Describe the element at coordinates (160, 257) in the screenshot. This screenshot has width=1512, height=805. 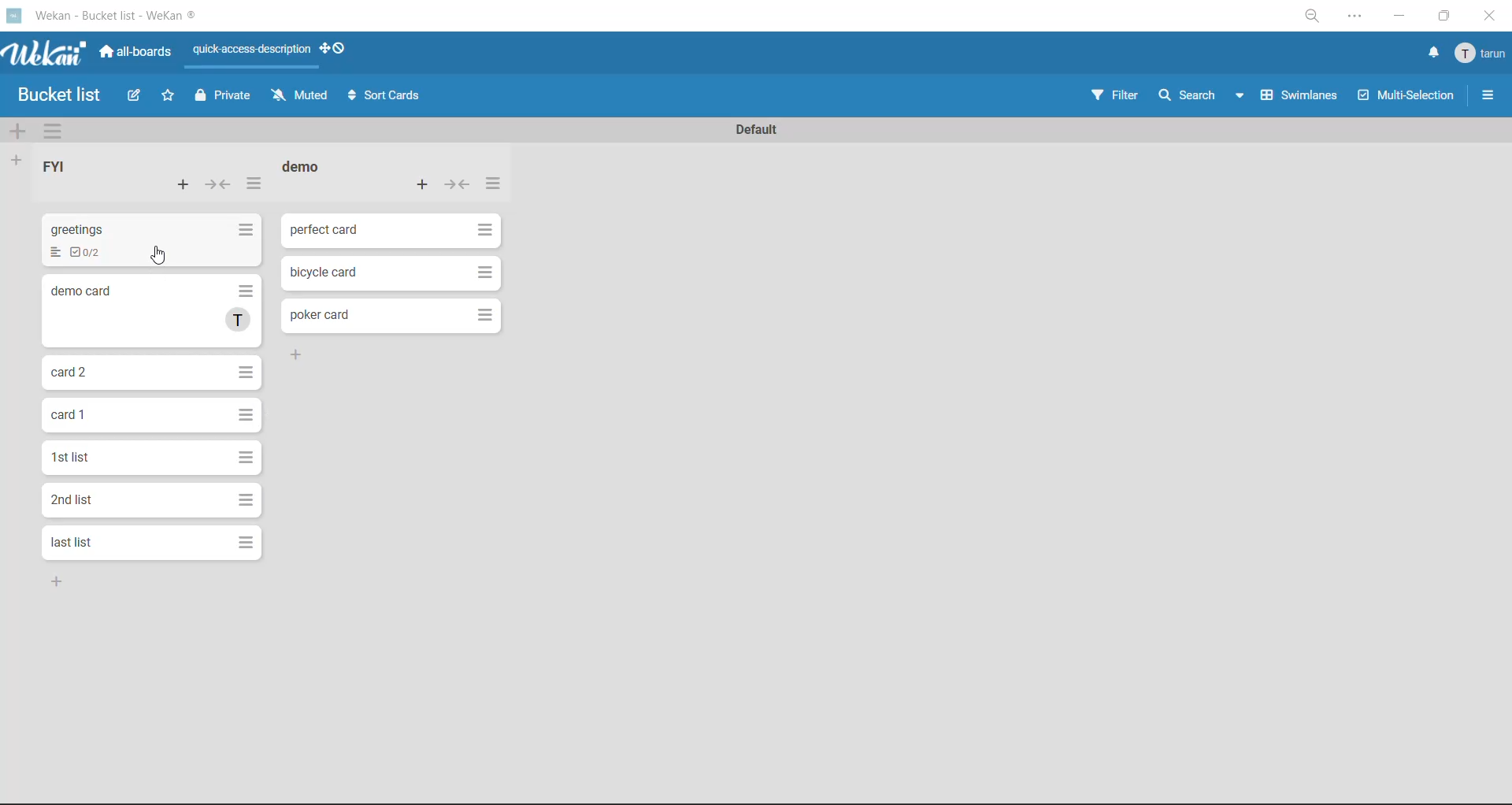
I see `cursor` at that location.